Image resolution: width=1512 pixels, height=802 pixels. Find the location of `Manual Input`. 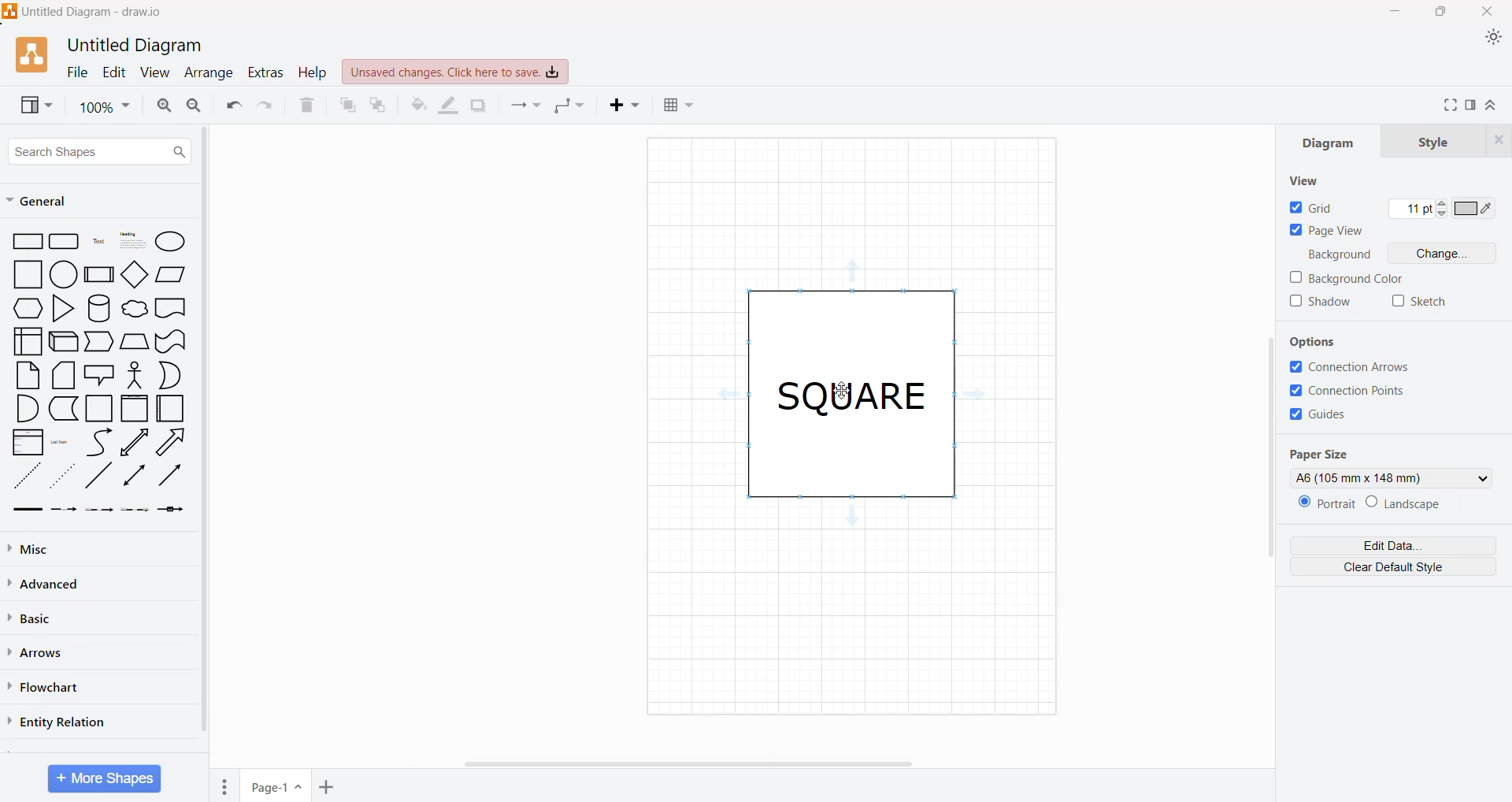

Manual Input is located at coordinates (134, 342).